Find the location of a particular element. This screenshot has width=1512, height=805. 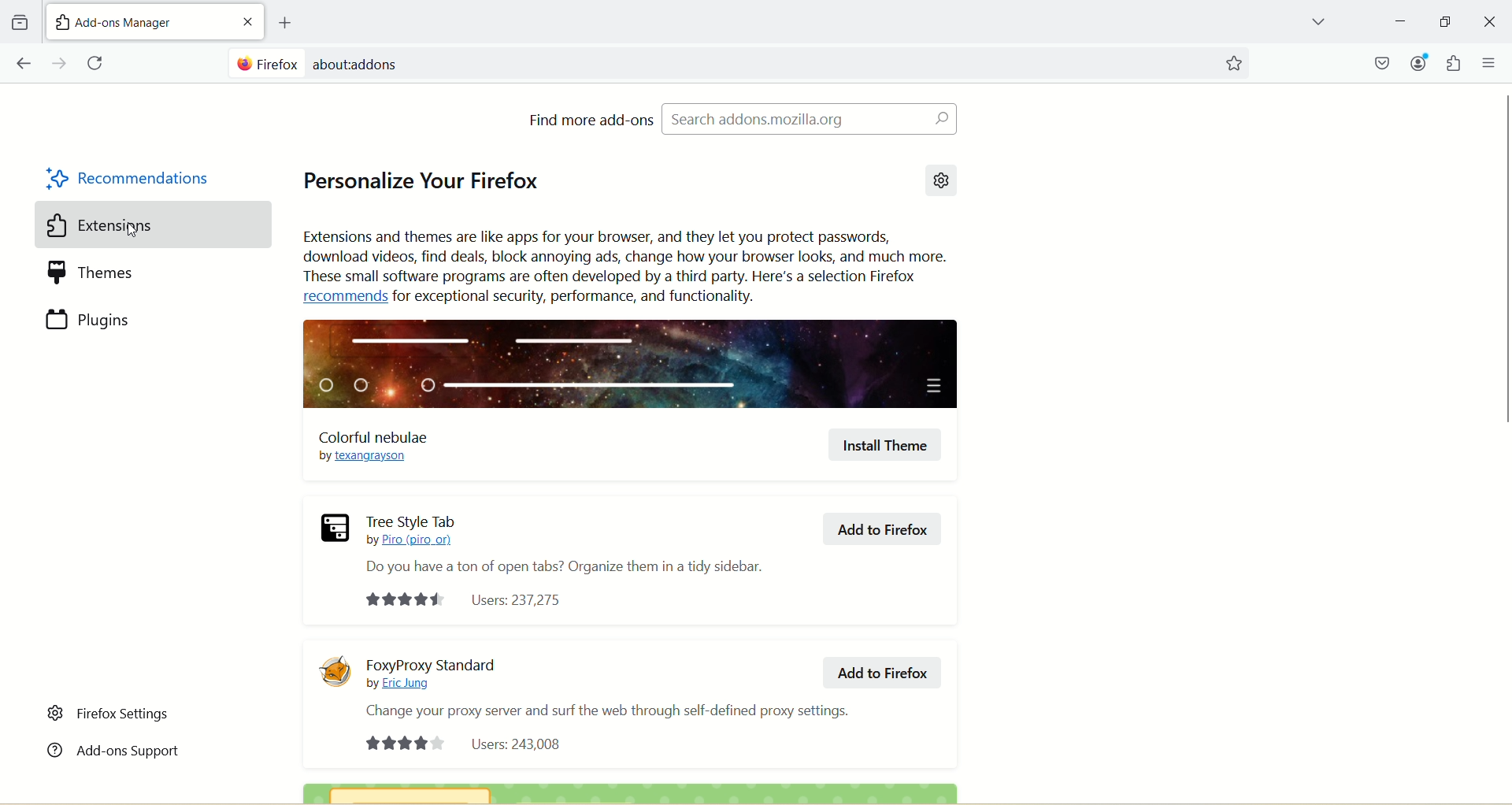

Colorful nebulae is located at coordinates (373, 448).